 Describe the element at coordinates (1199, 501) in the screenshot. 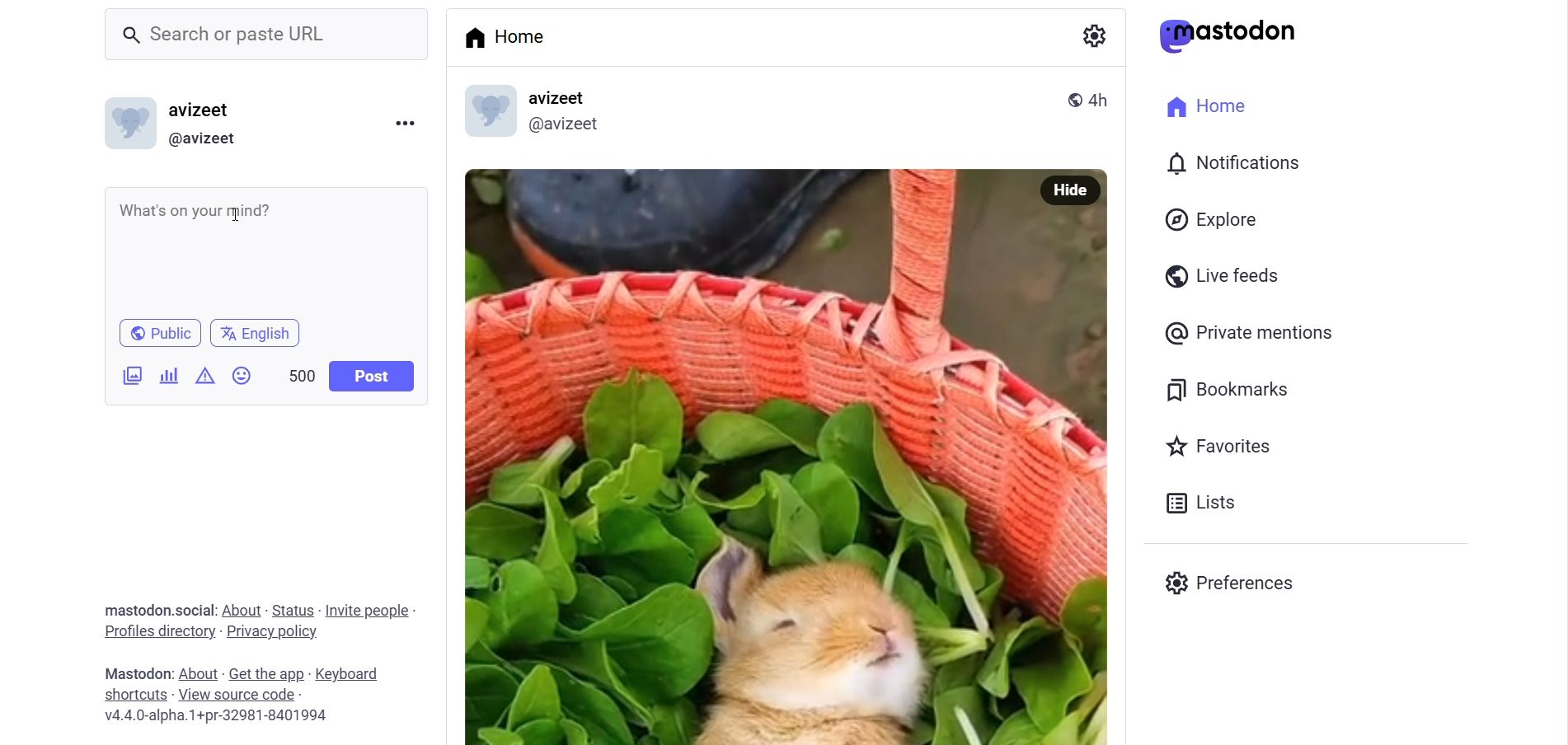

I see `Lists` at that location.